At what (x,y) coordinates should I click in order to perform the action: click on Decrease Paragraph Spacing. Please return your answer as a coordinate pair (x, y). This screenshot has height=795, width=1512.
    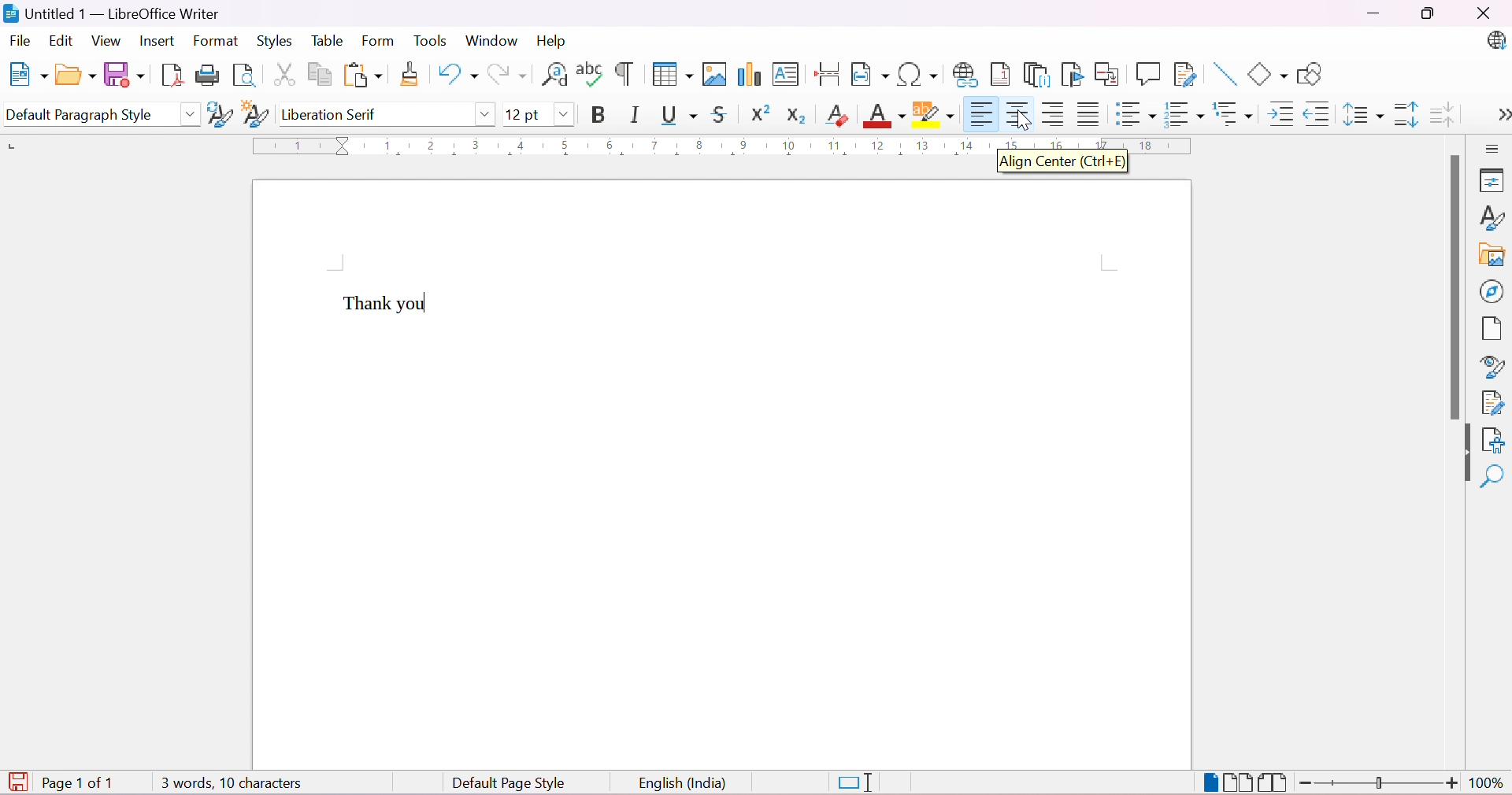
    Looking at the image, I should click on (1443, 112).